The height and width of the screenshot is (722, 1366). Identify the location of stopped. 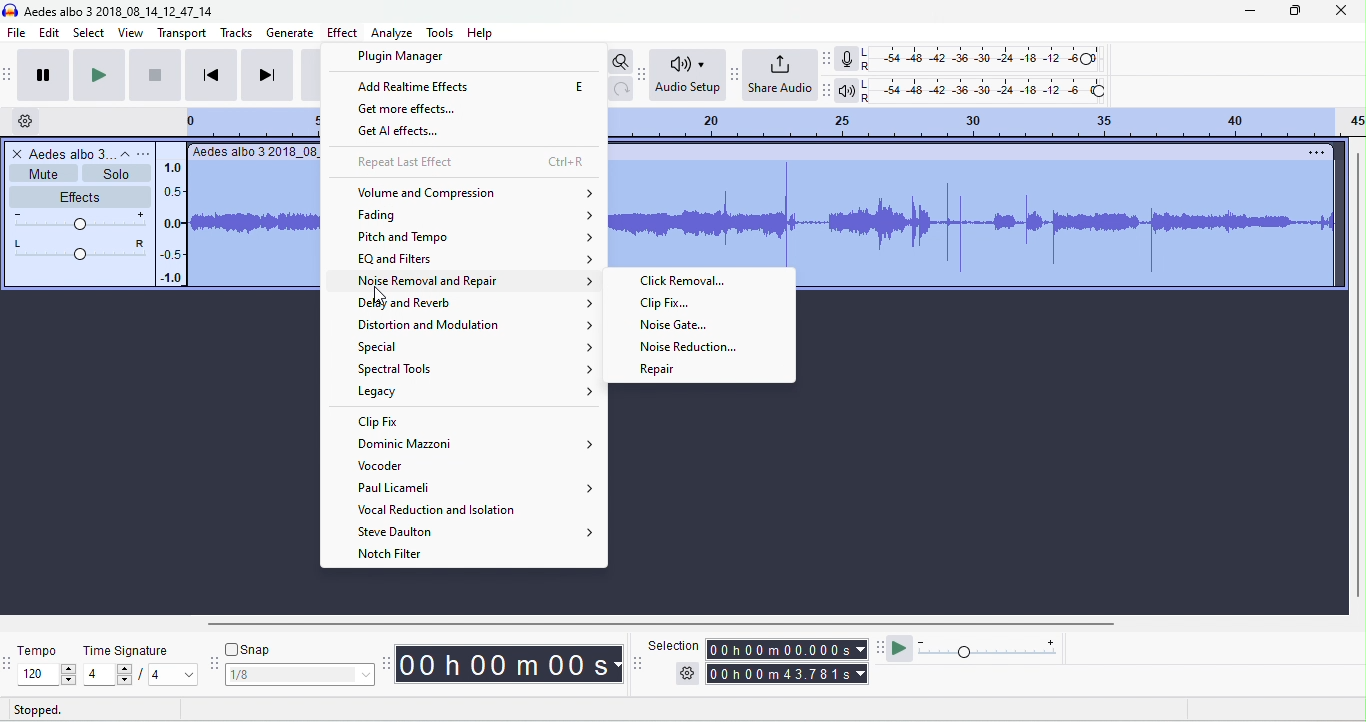
(37, 710).